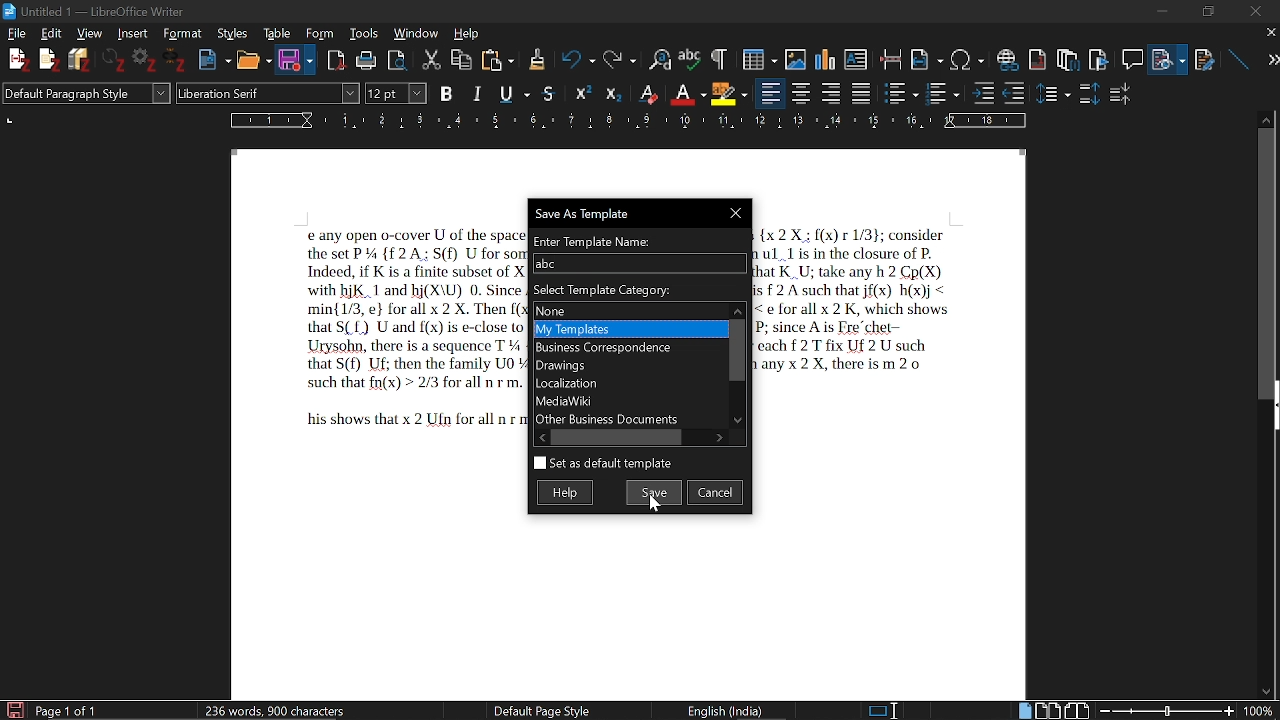 The image size is (1280, 720). I want to click on Insert text, so click(858, 55).